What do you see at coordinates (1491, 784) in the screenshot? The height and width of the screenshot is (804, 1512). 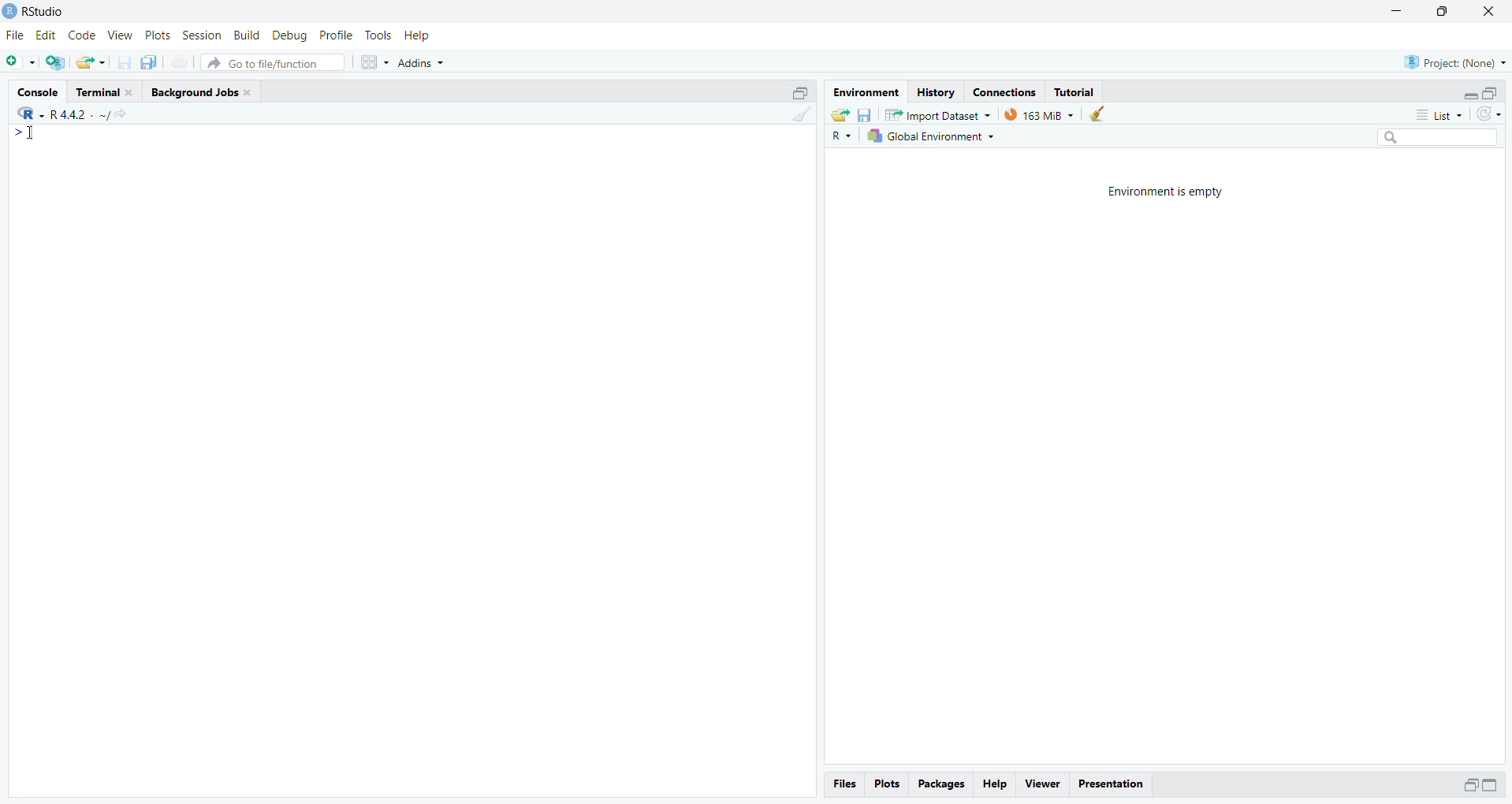 I see `expand/collapse` at bounding box center [1491, 784].